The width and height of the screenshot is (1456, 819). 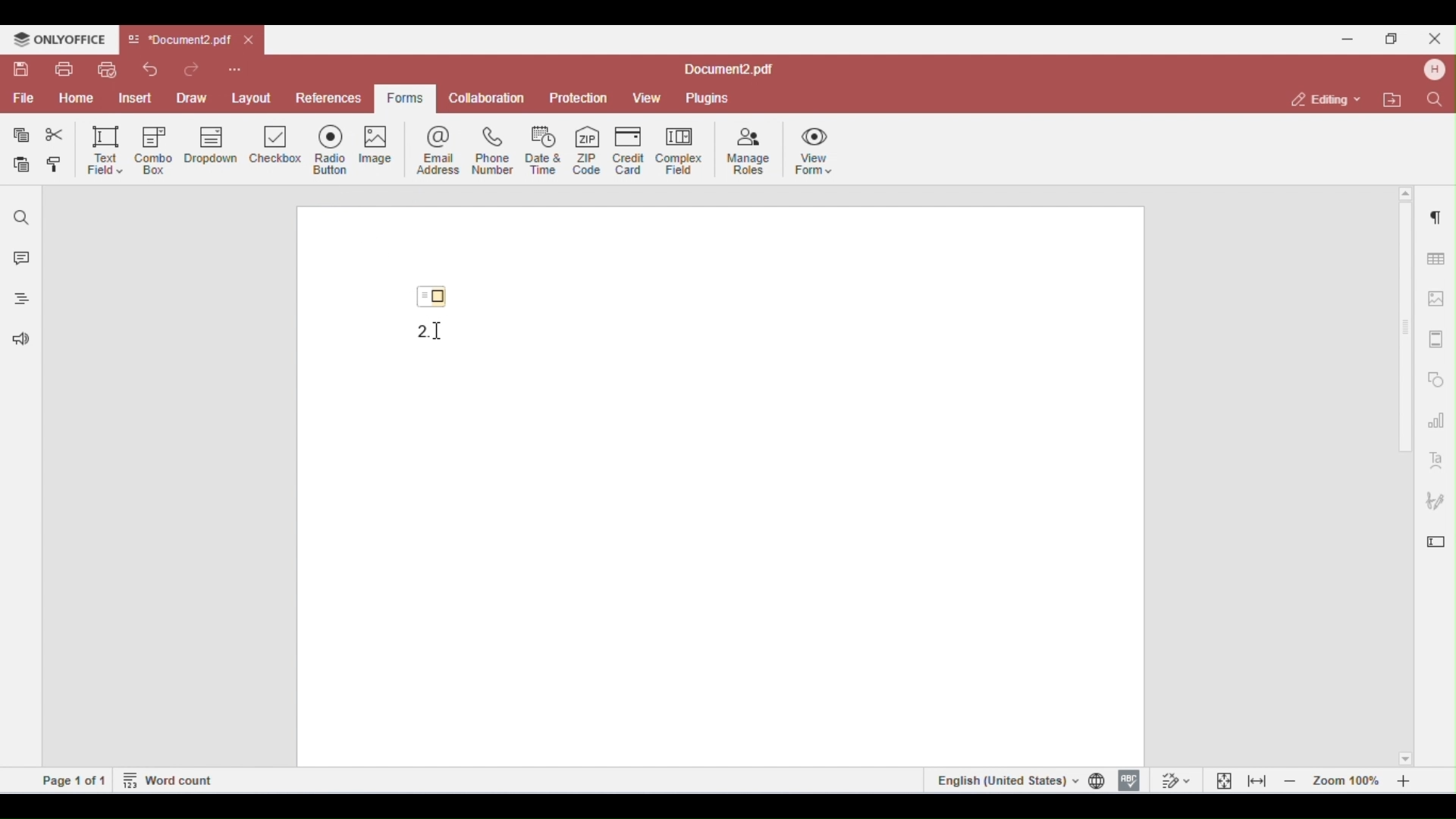 I want to click on fit to width, so click(x=1257, y=780).